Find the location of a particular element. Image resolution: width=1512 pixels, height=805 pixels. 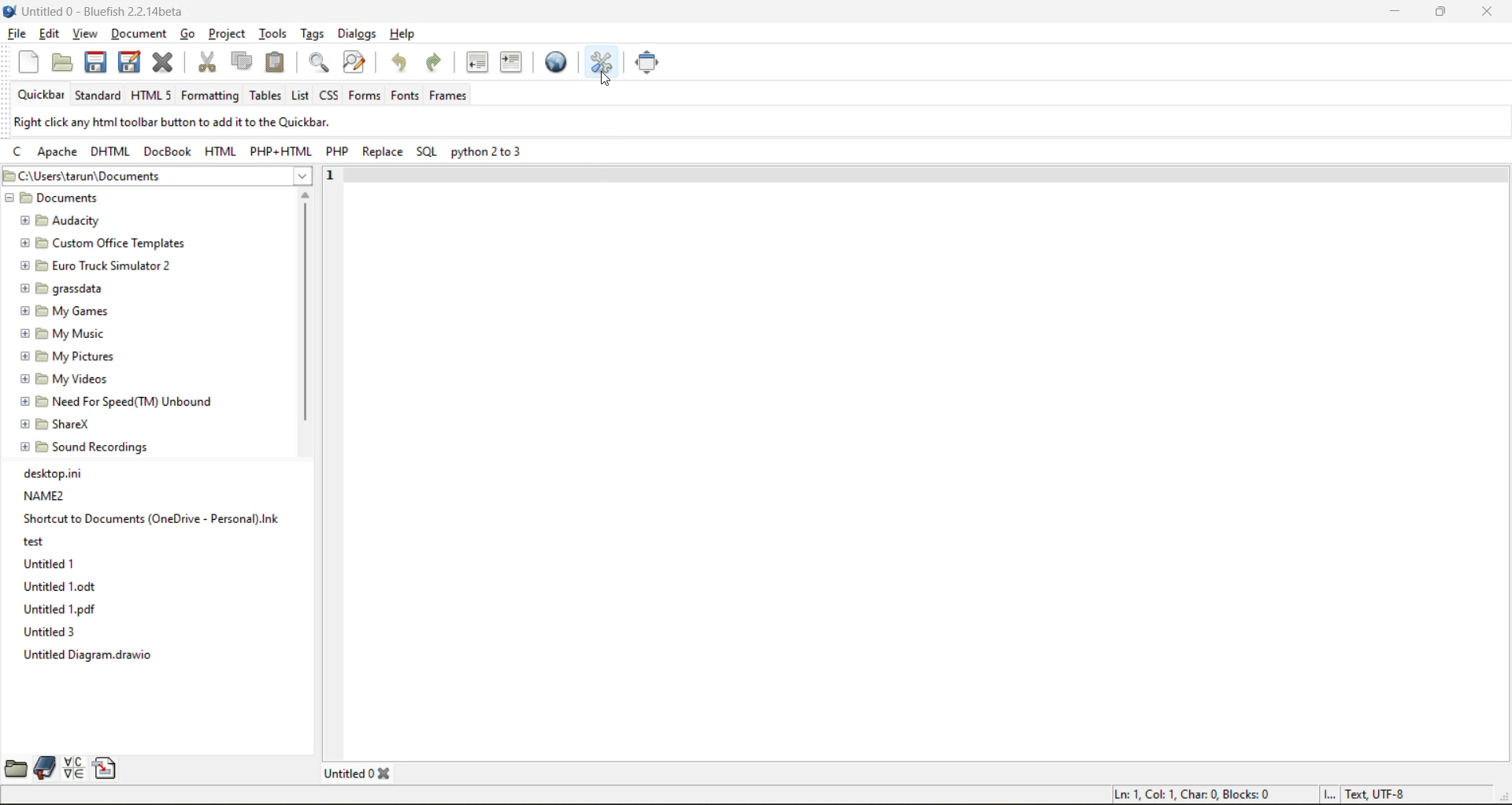

c is located at coordinates (22, 154).